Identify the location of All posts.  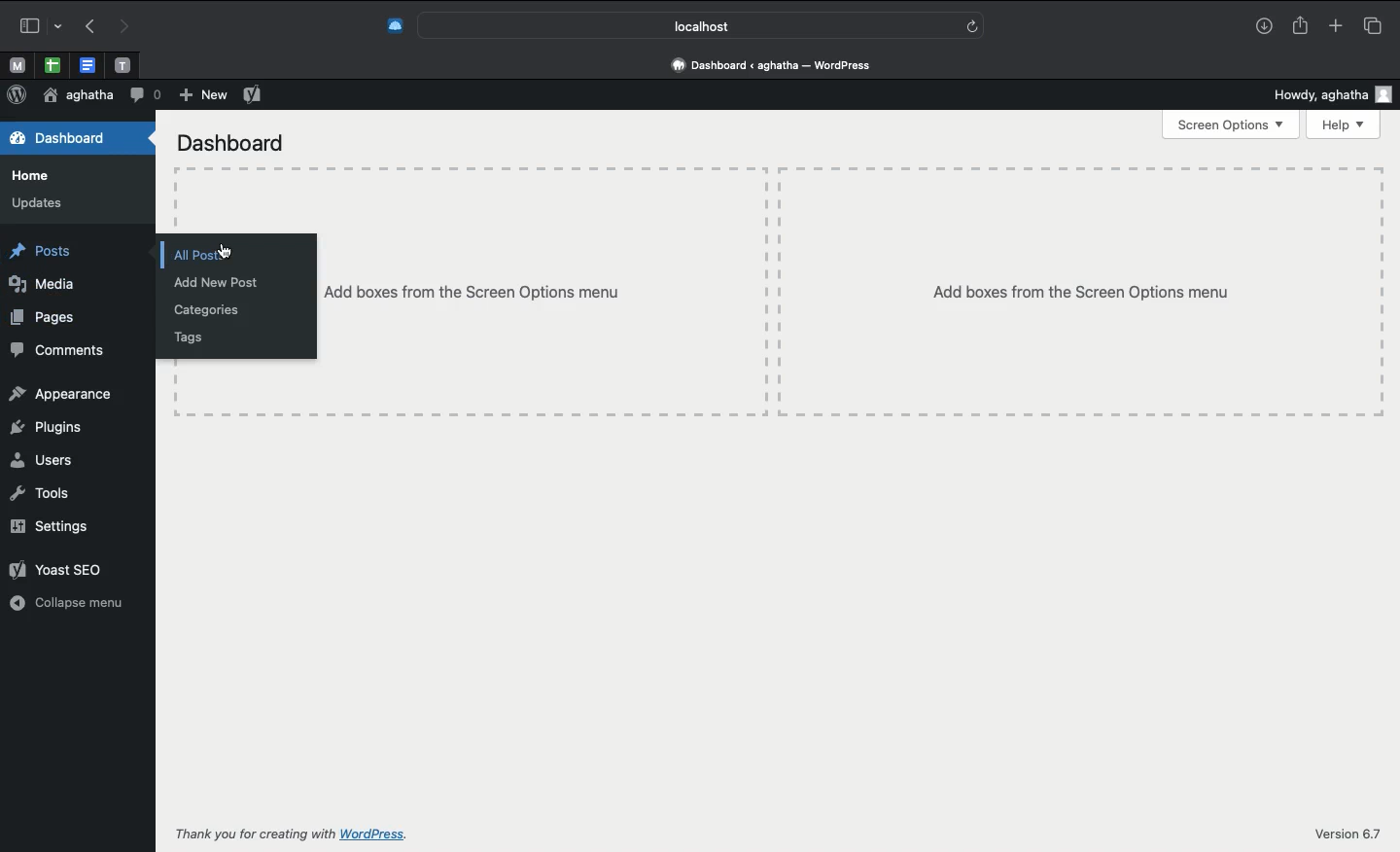
(183, 255).